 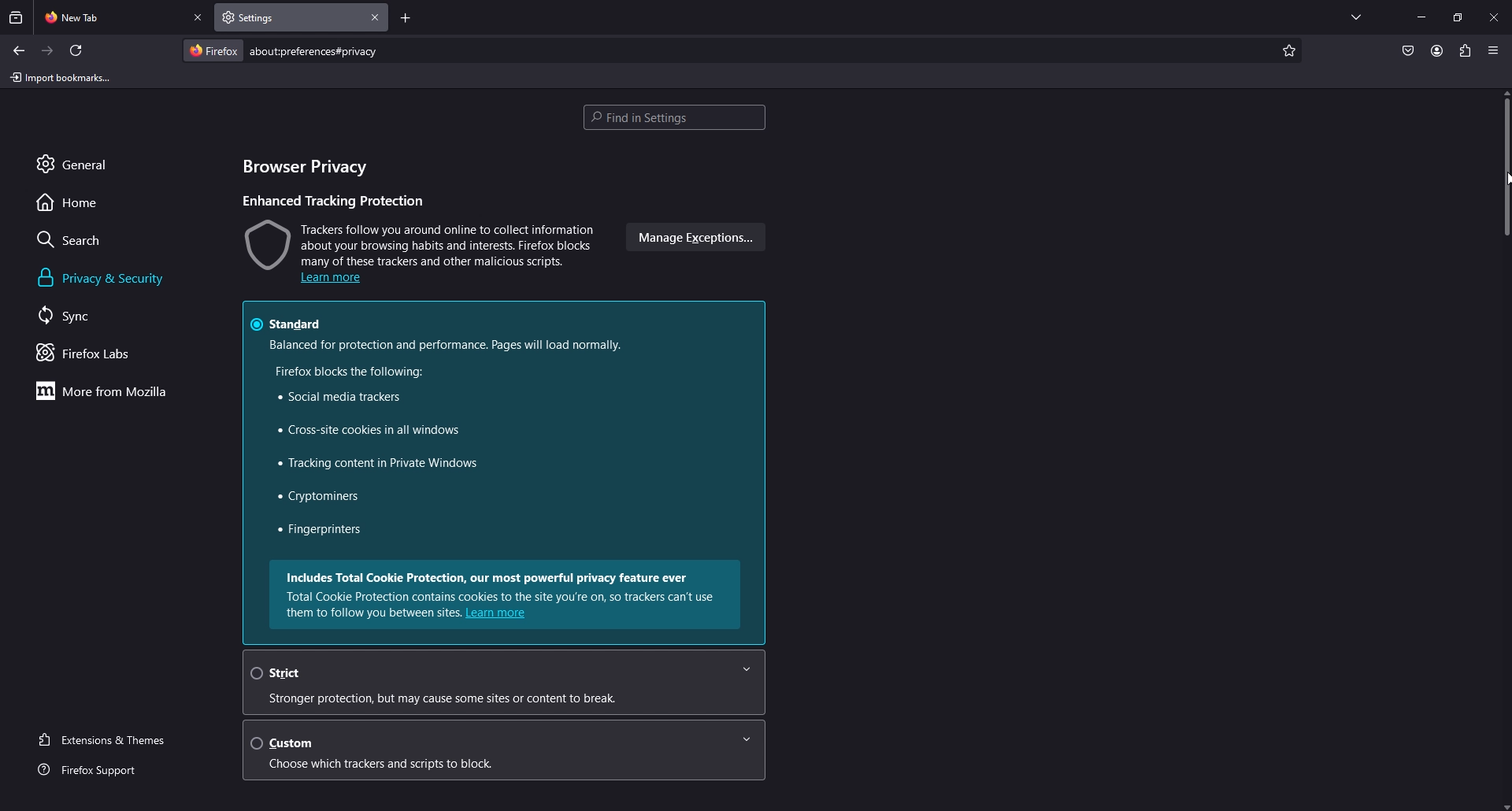 What do you see at coordinates (82, 315) in the screenshot?
I see `sync` at bounding box center [82, 315].